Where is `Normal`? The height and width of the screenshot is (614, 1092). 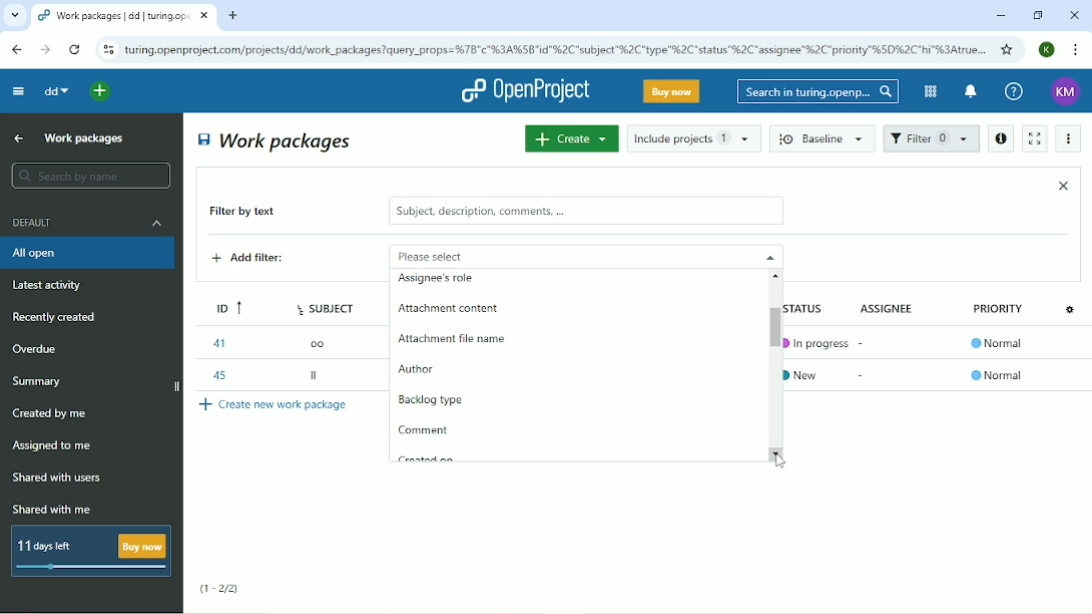
Normal is located at coordinates (997, 375).